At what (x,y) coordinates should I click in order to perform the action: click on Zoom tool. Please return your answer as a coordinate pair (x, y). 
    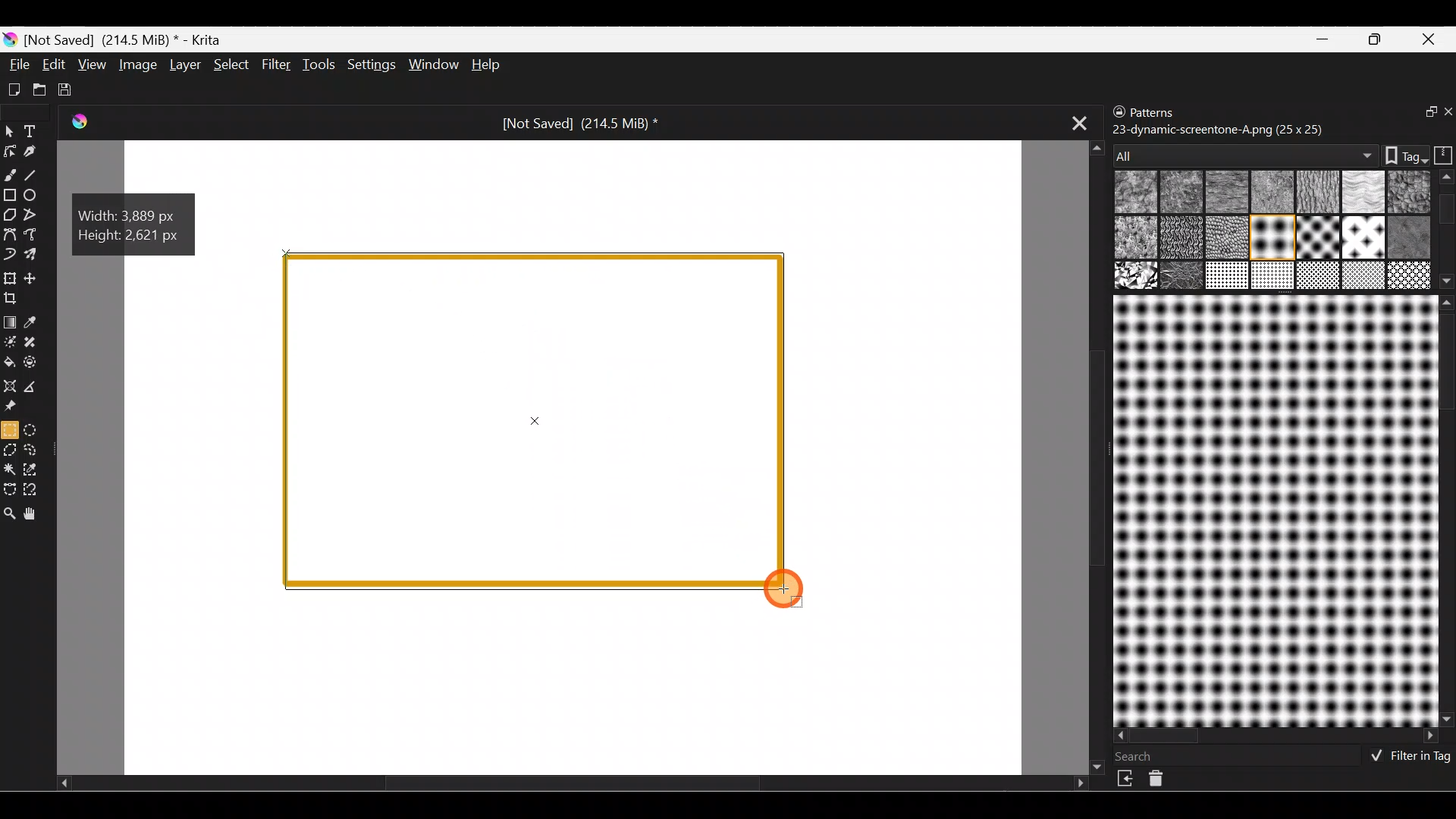
    Looking at the image, I should click on (10, 515).